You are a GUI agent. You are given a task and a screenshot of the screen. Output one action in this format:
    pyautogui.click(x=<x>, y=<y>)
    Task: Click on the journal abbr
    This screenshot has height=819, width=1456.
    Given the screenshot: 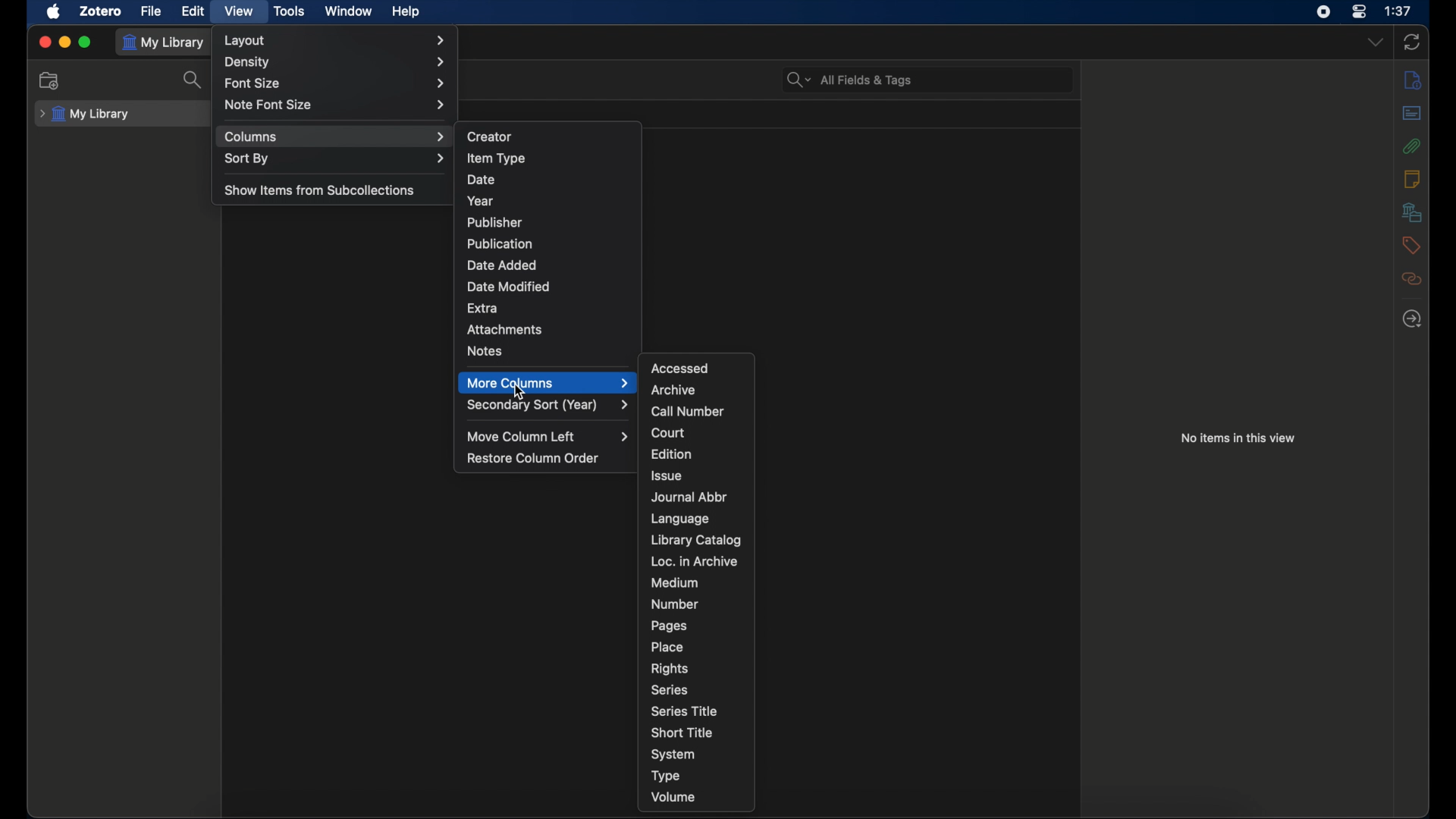 What is the action you would take?
    pyautogui.click(x=688, y=497)
    